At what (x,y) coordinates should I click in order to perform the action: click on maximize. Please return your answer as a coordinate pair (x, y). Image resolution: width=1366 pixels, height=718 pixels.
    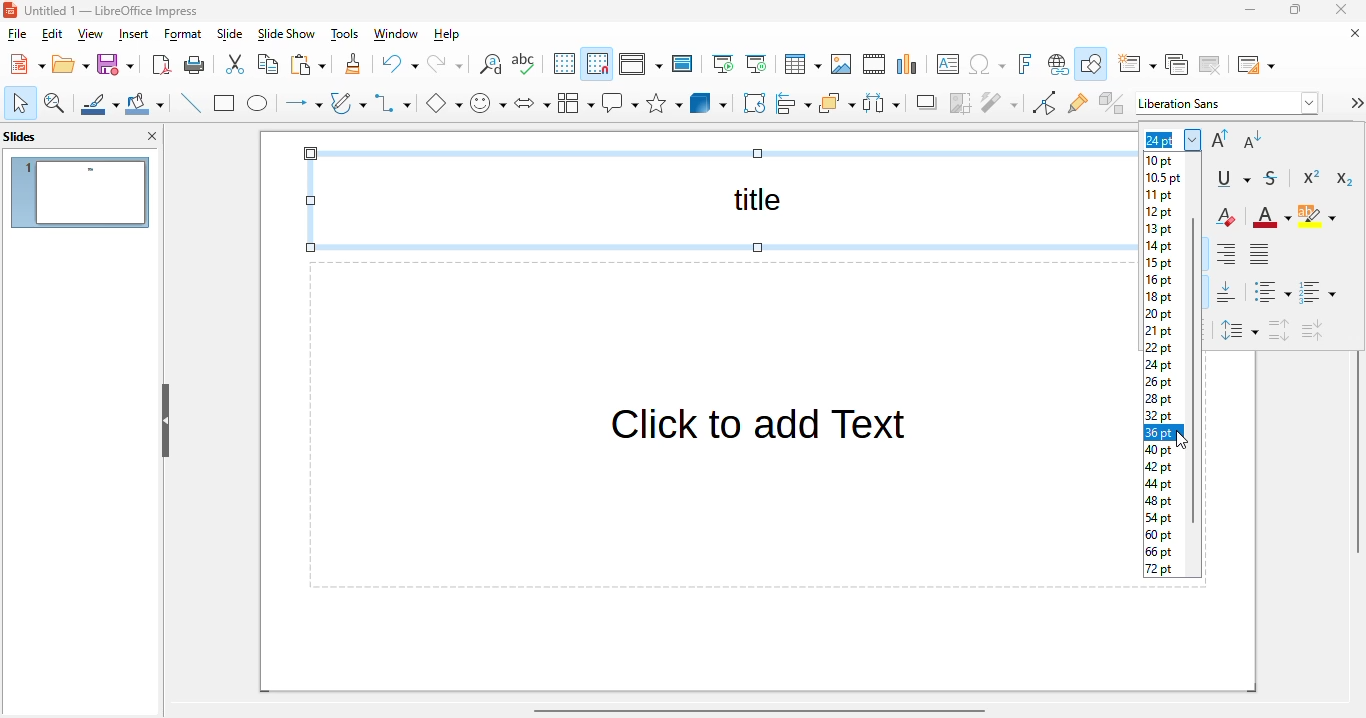
    Looking at the image, I should click on (1295, 10).